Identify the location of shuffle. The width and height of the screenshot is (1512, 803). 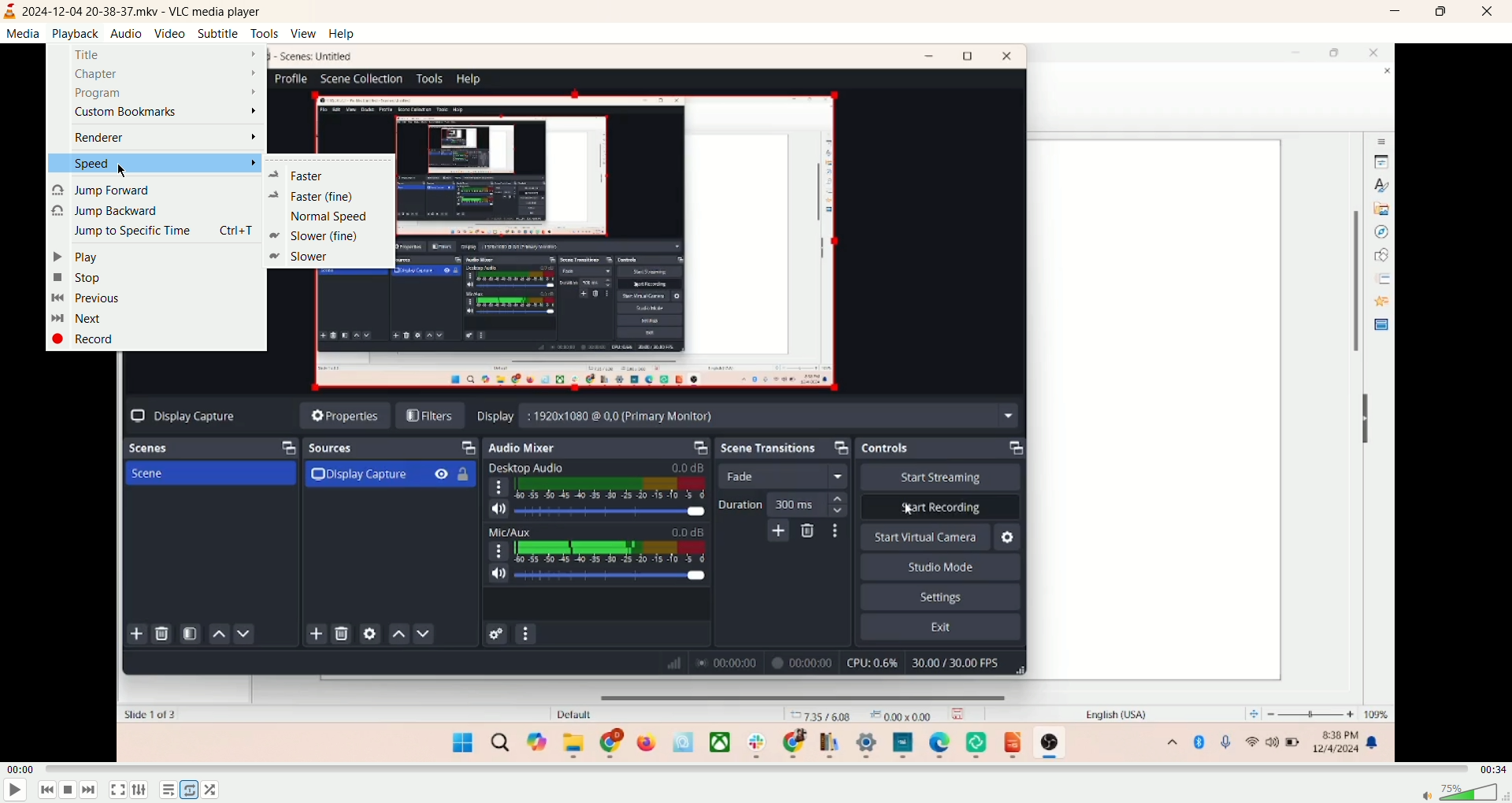
(219, 791).